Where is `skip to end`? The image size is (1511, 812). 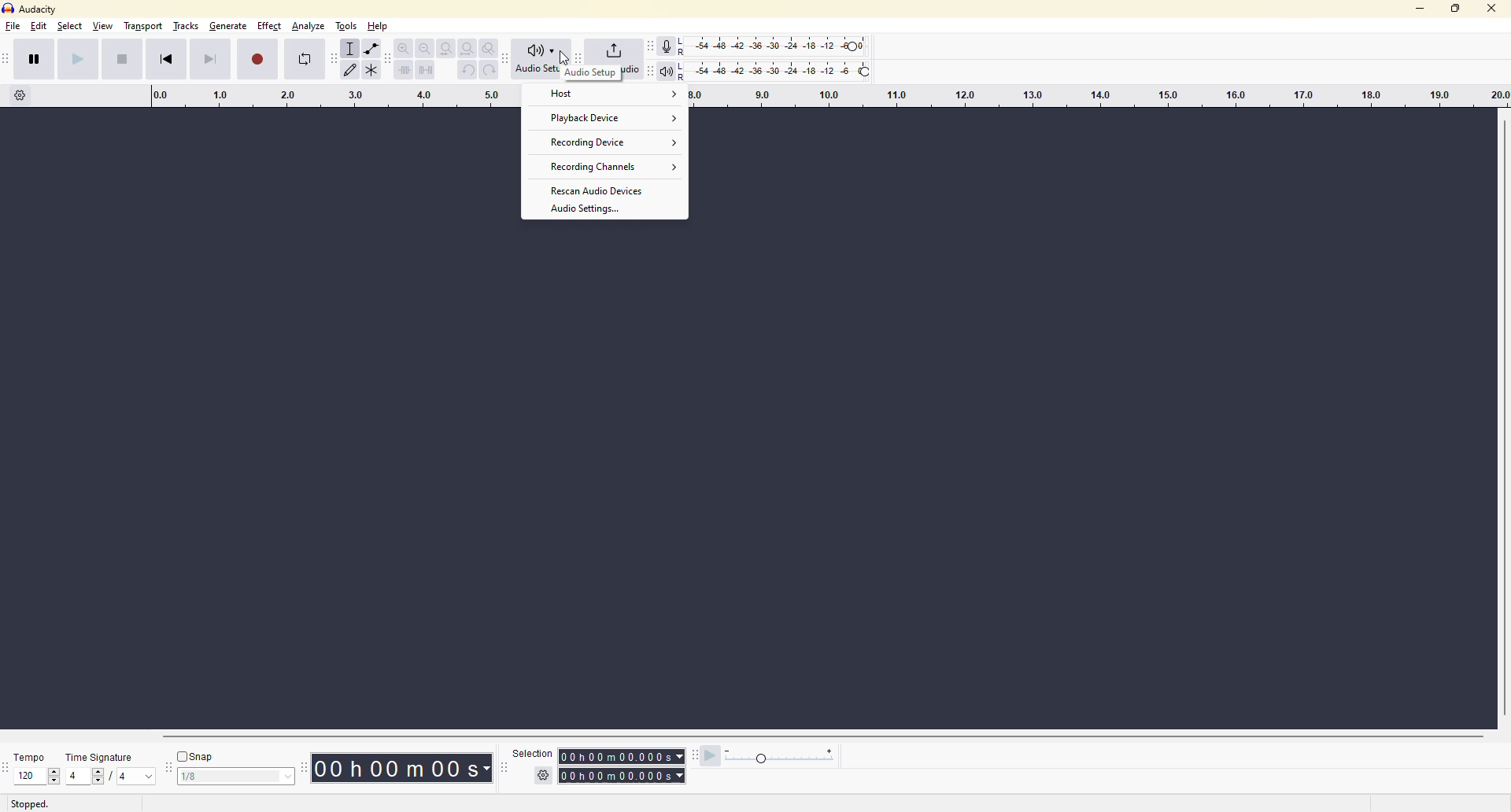
skip to end is located at coordinates (203, 59).